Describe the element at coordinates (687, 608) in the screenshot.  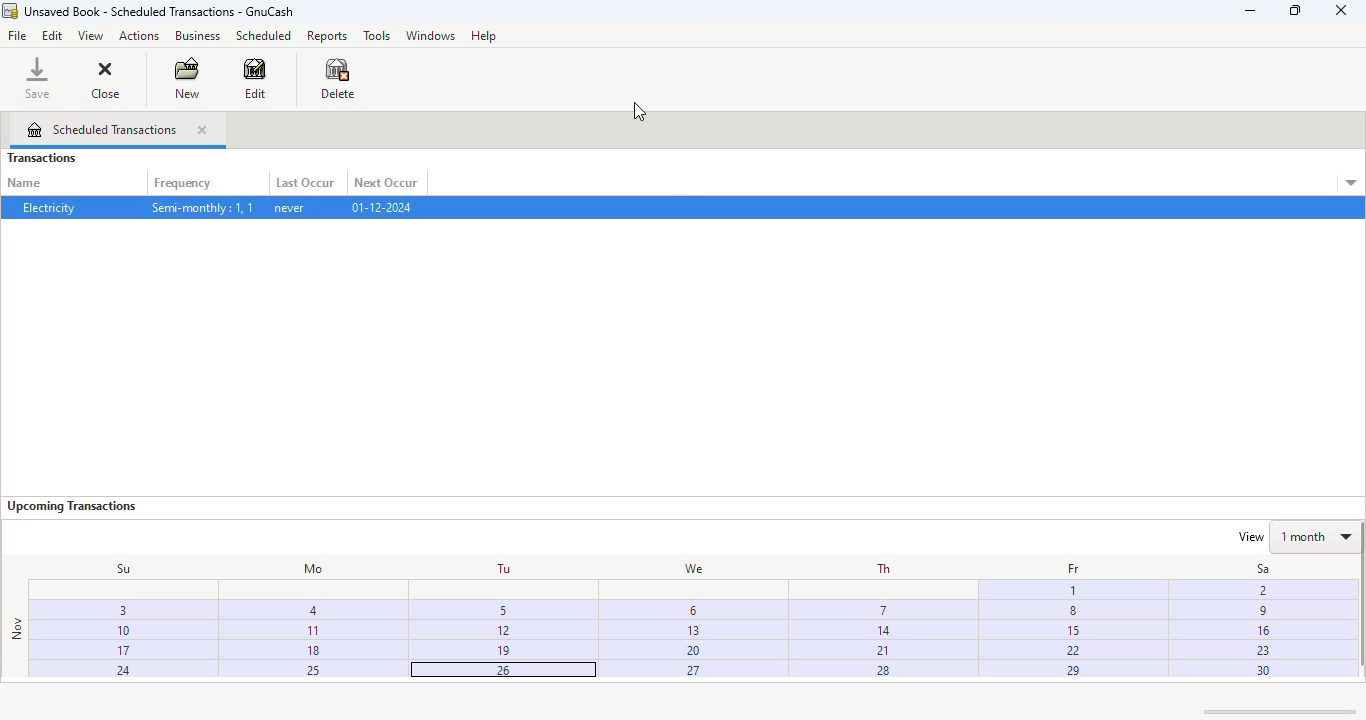
I see `3` at that location.